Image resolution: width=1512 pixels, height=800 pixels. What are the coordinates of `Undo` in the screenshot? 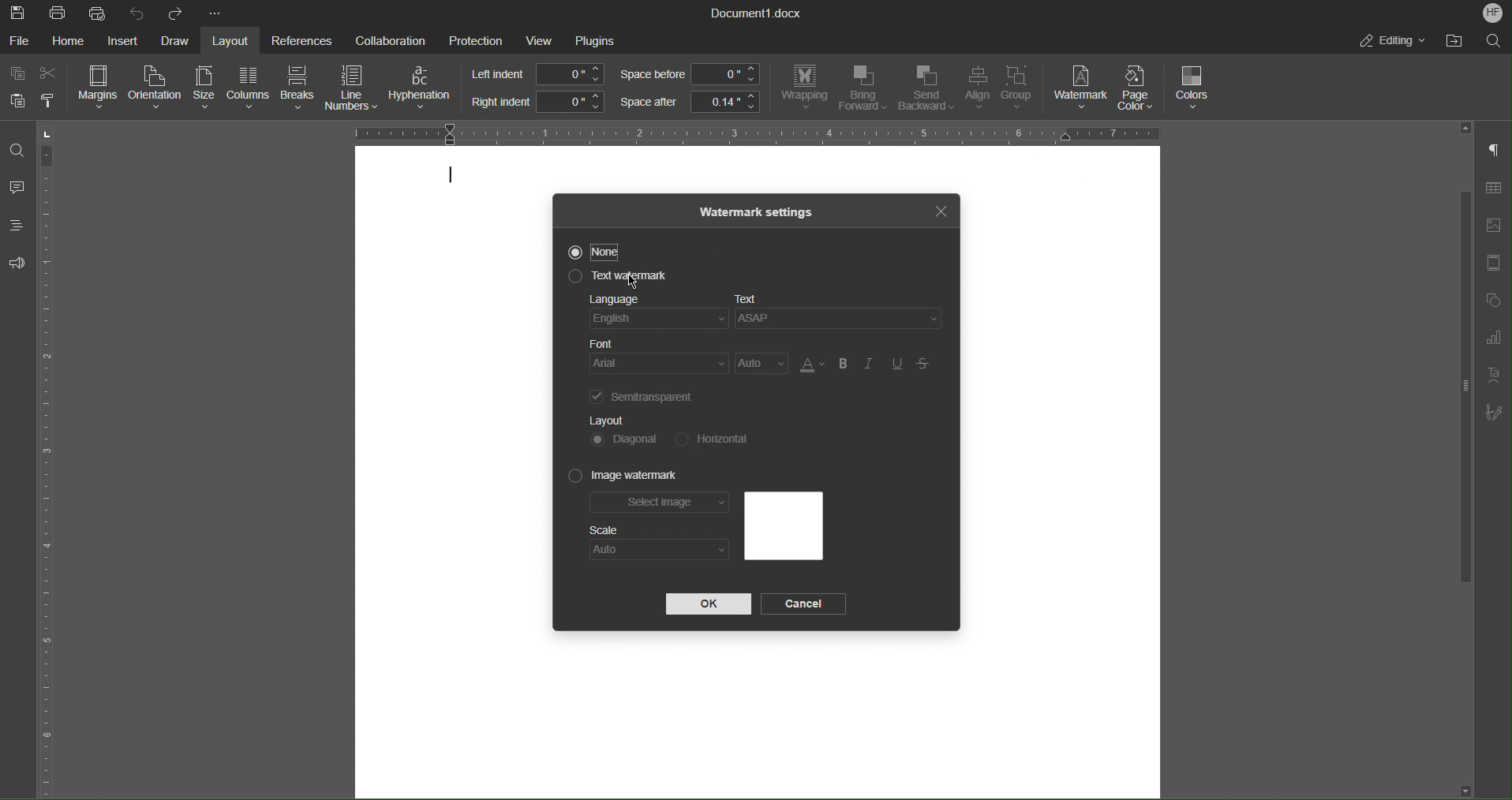 It's located at (137, 13).